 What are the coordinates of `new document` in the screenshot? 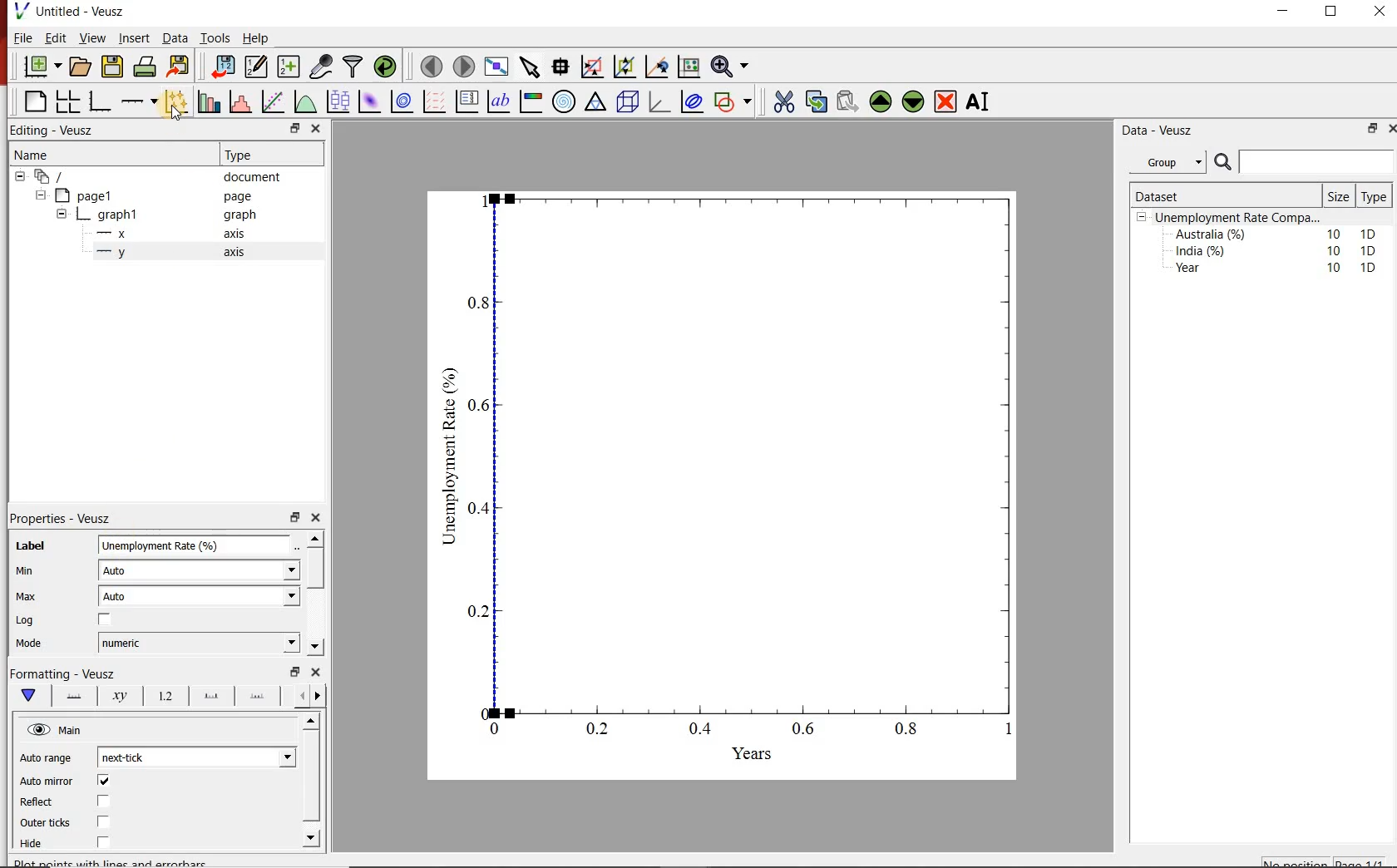 It's located at (43, 66).